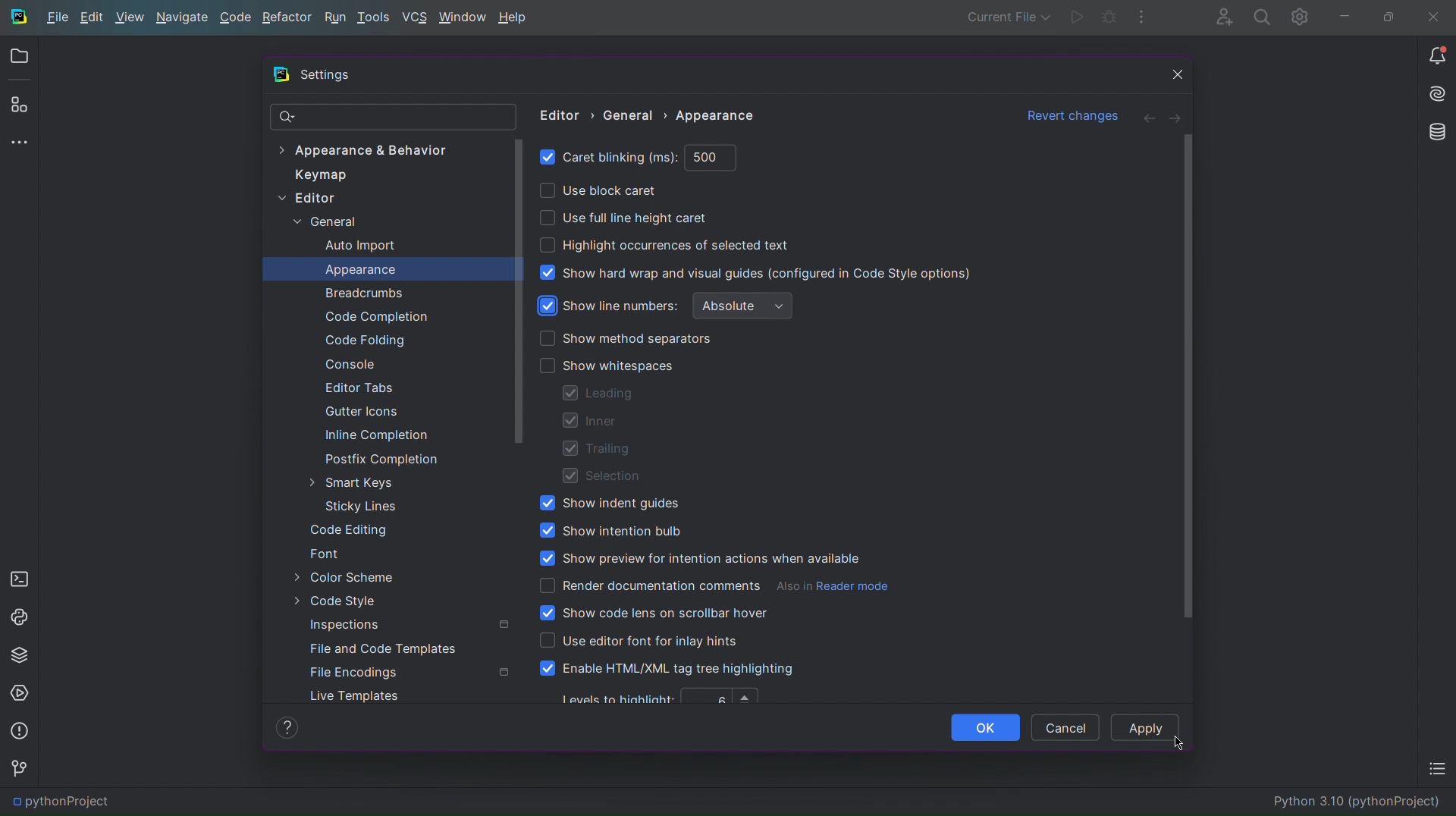  Describe the element at coordinates (19, 769) in the screenshot. I see `Version Control` at that location.